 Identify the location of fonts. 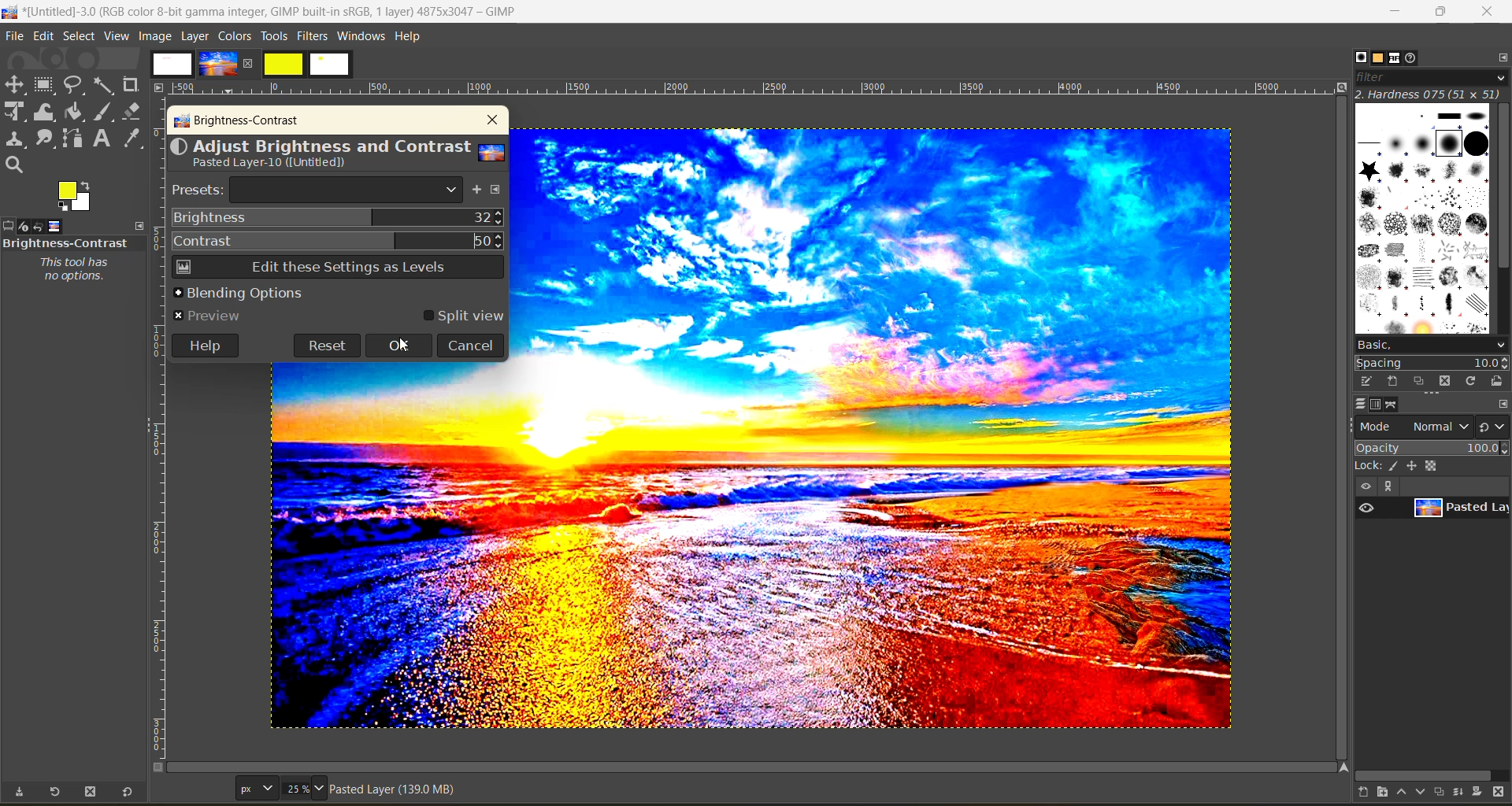
(1399, 60).